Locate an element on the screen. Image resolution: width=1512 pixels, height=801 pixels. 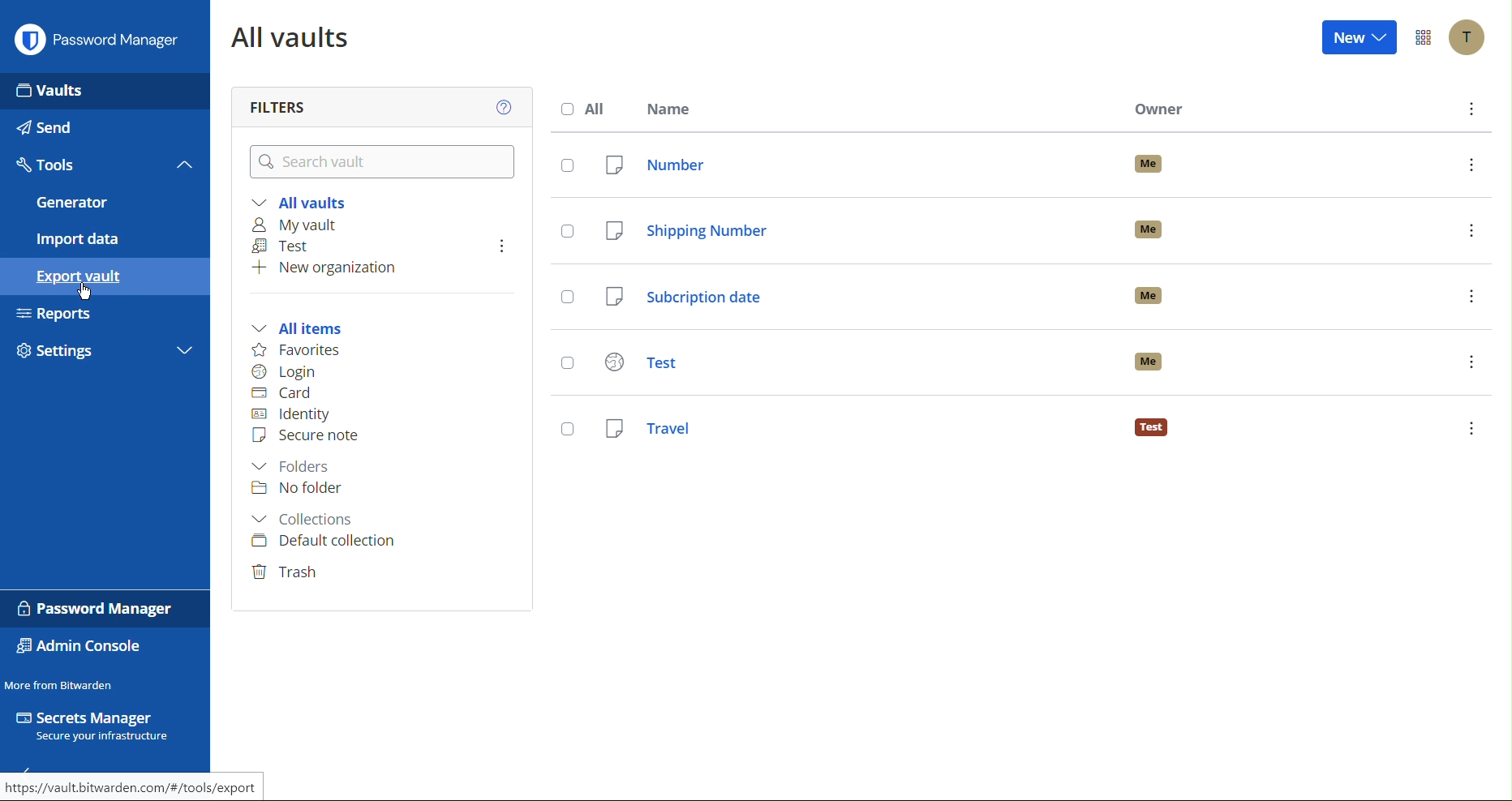
Cursor is located at coordinates (88, 292).